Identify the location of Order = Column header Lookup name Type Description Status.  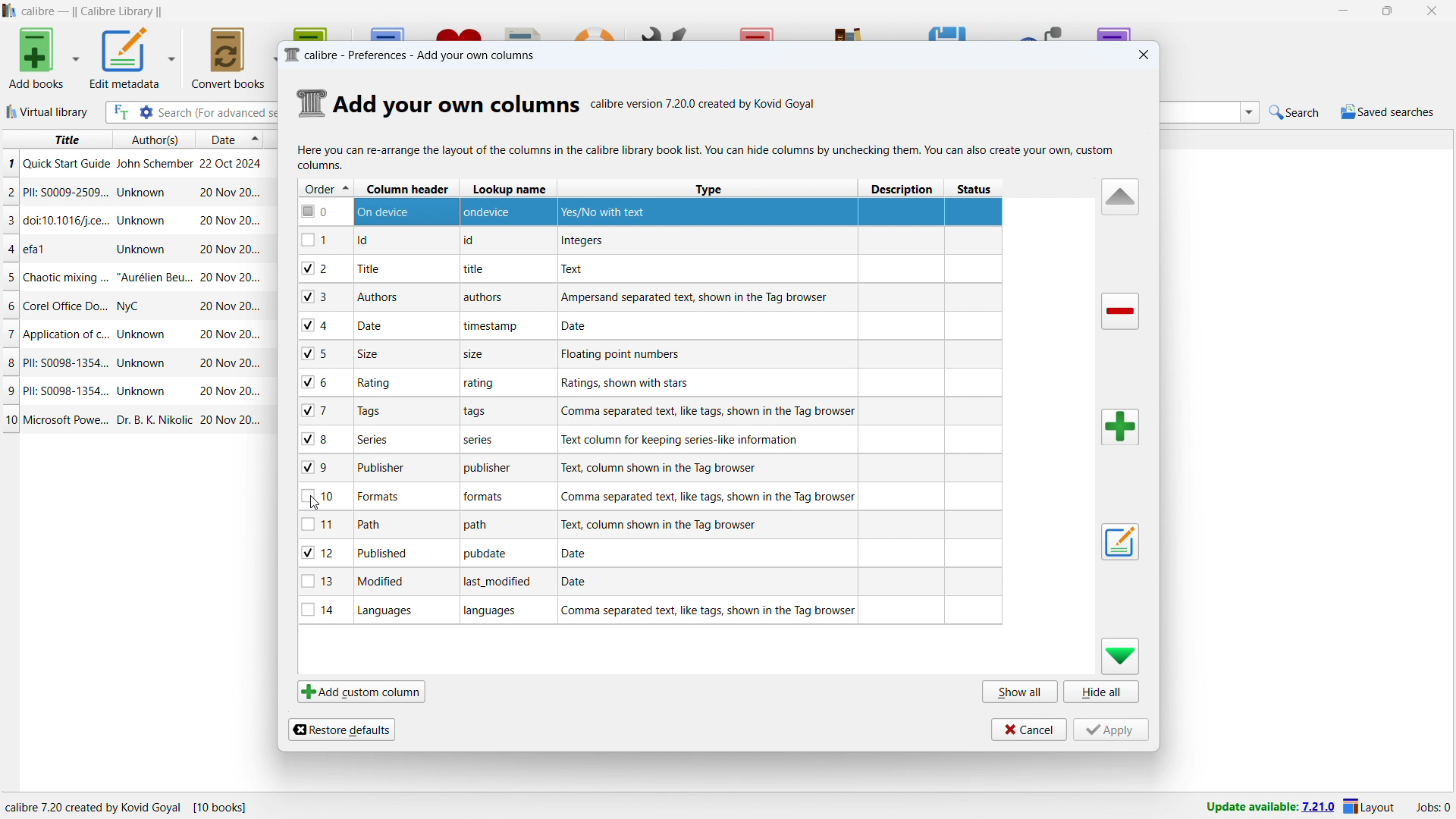
(651, 188).